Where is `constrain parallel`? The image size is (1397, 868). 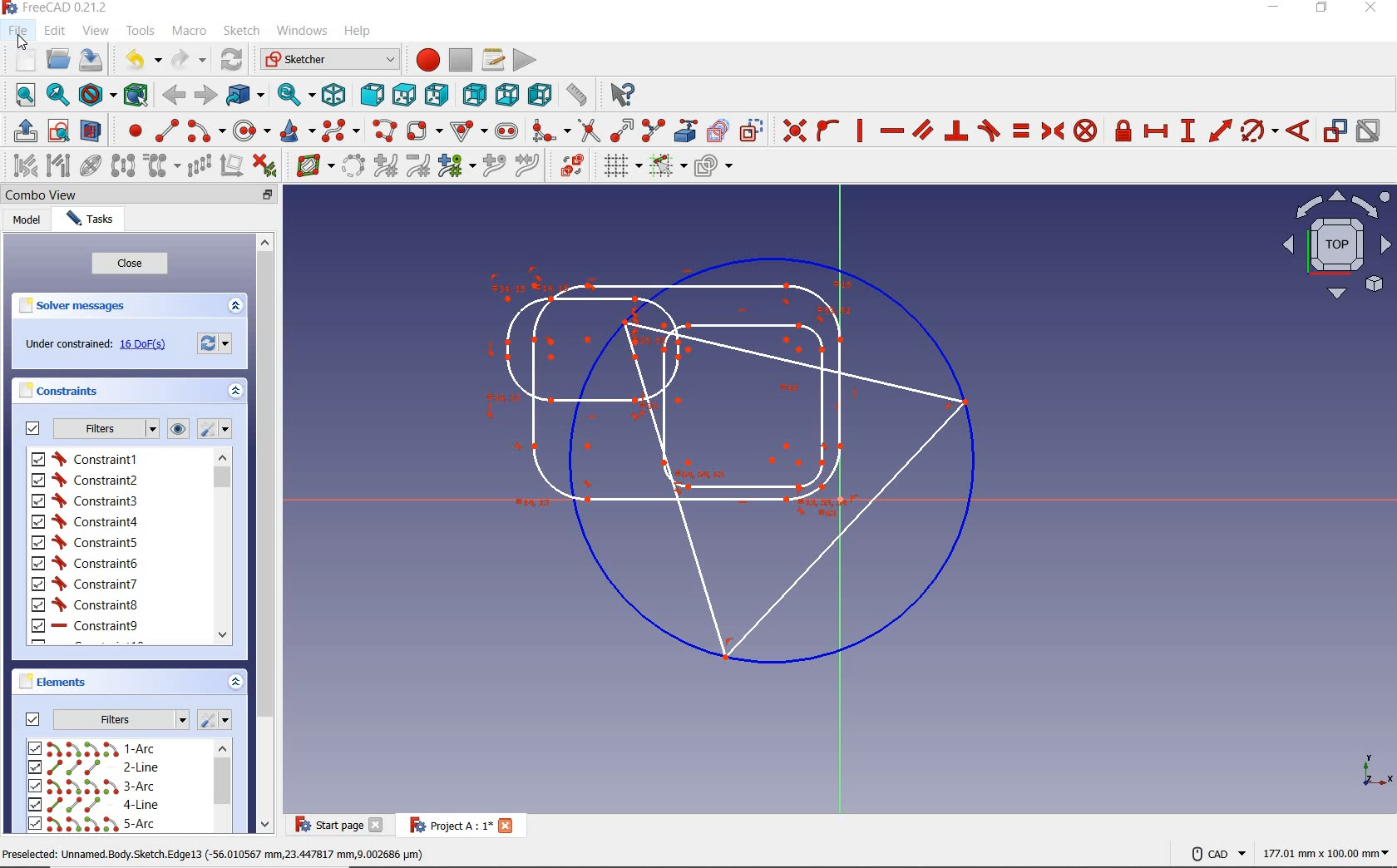 constrain parallel is located at coordinates (922, 131).